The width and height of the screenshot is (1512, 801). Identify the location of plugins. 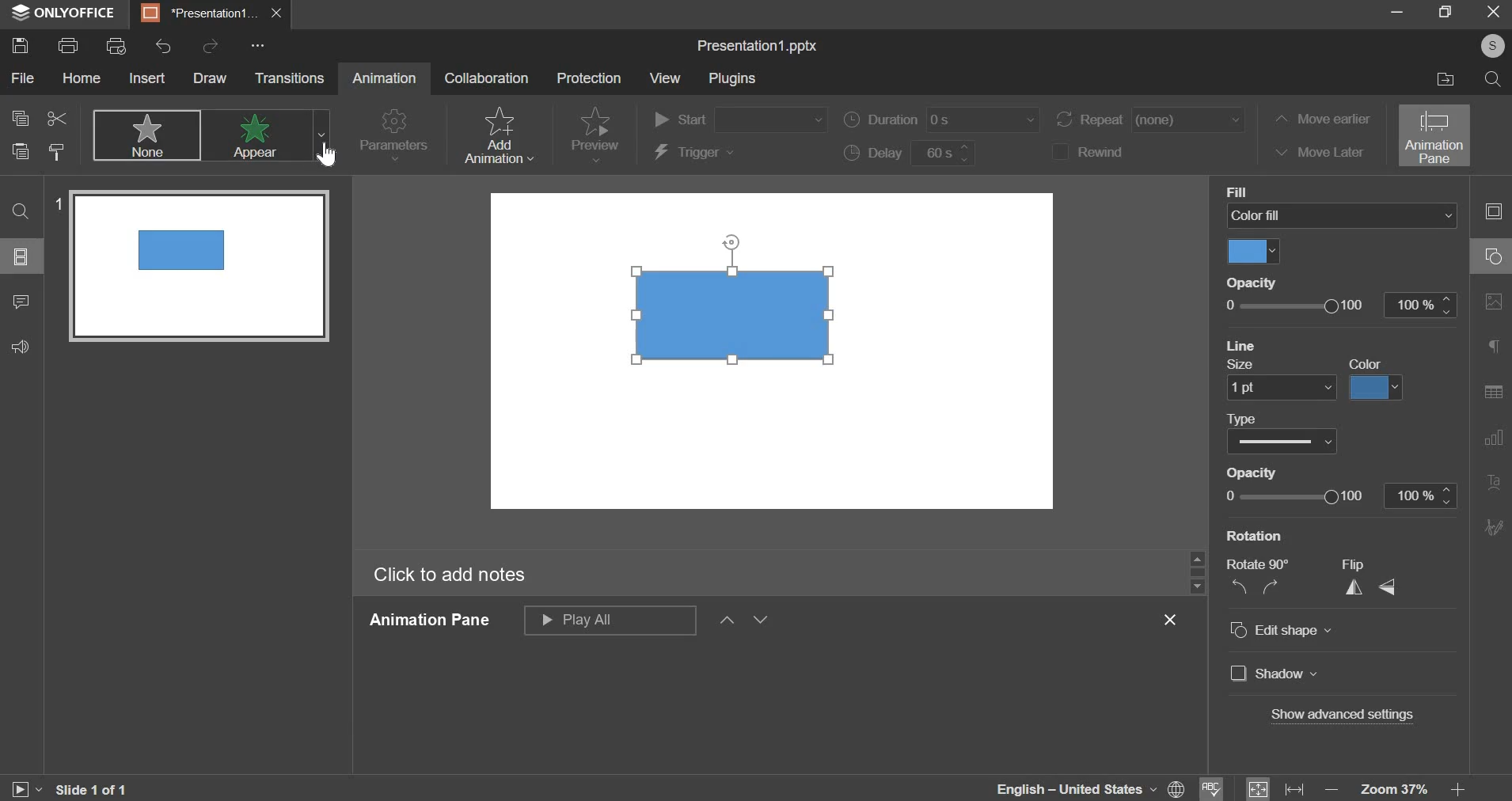
(732, 77).